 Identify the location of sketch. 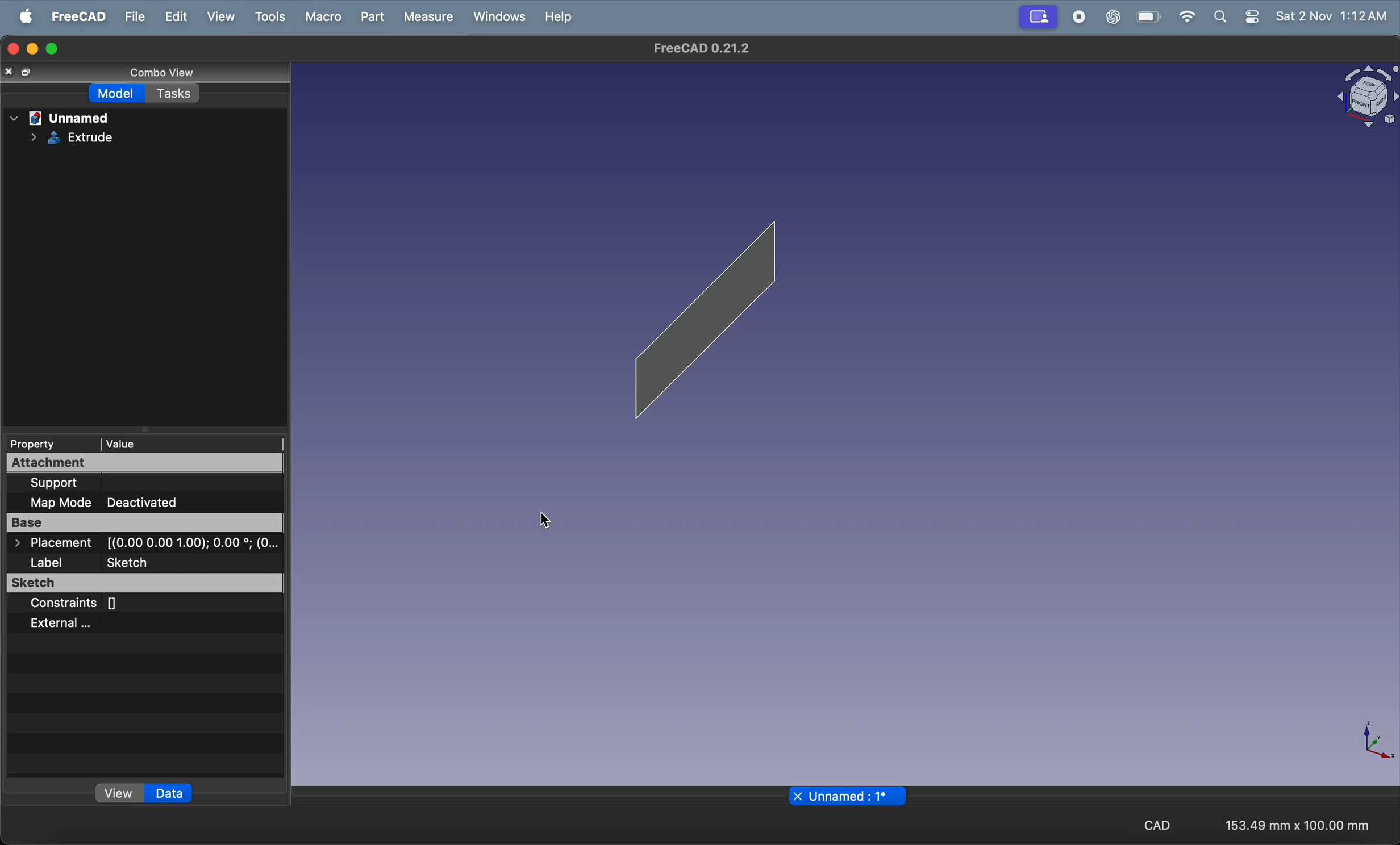
(141, 583).